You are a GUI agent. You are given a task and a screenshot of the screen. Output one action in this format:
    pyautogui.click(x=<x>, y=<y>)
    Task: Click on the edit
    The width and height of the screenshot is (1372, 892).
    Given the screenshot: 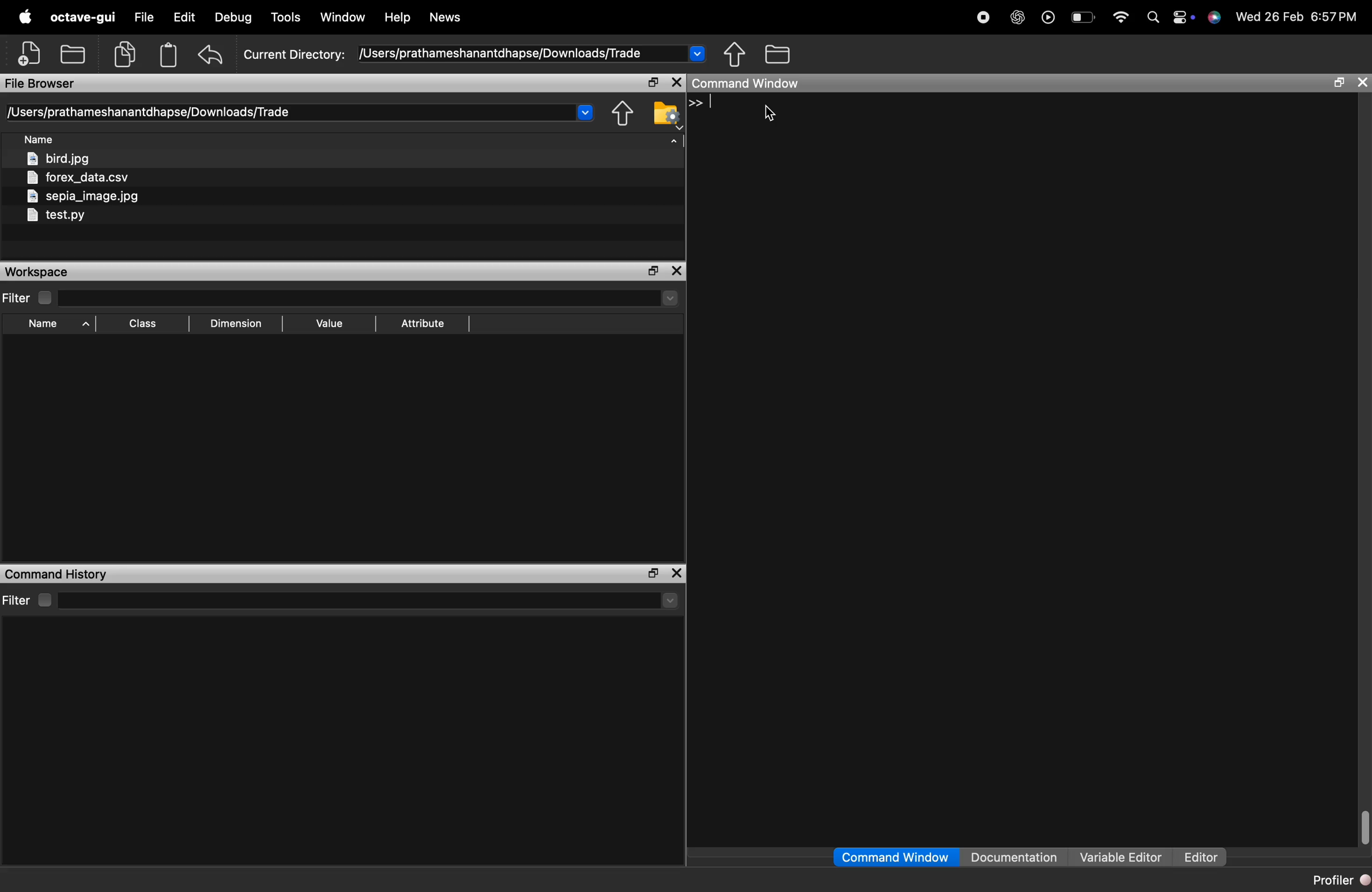 What is the action you would take?
    pyautogui.click(x=185, y=17)
    